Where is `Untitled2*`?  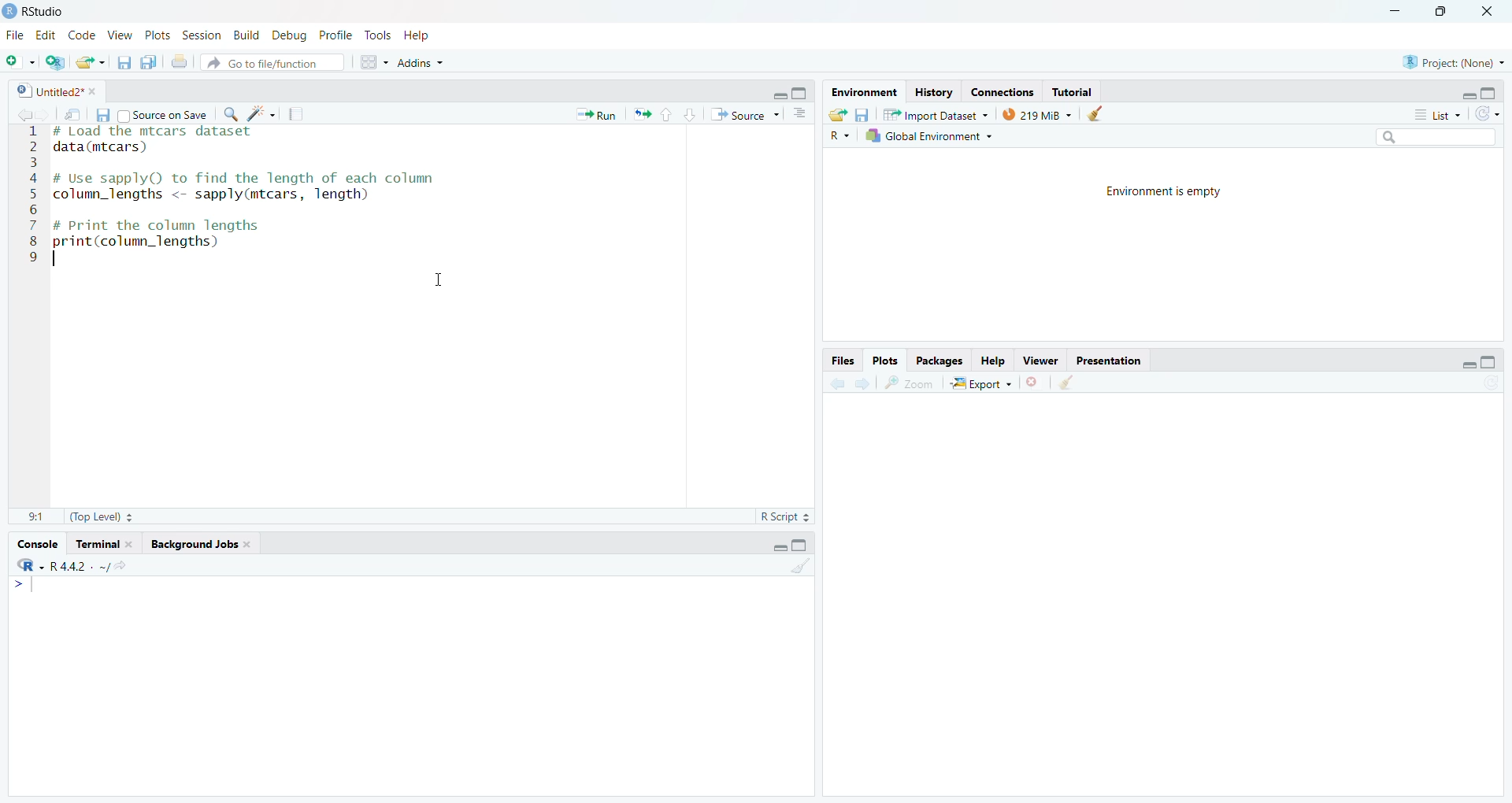
Untitled2* is located at coordinates (55, 91).